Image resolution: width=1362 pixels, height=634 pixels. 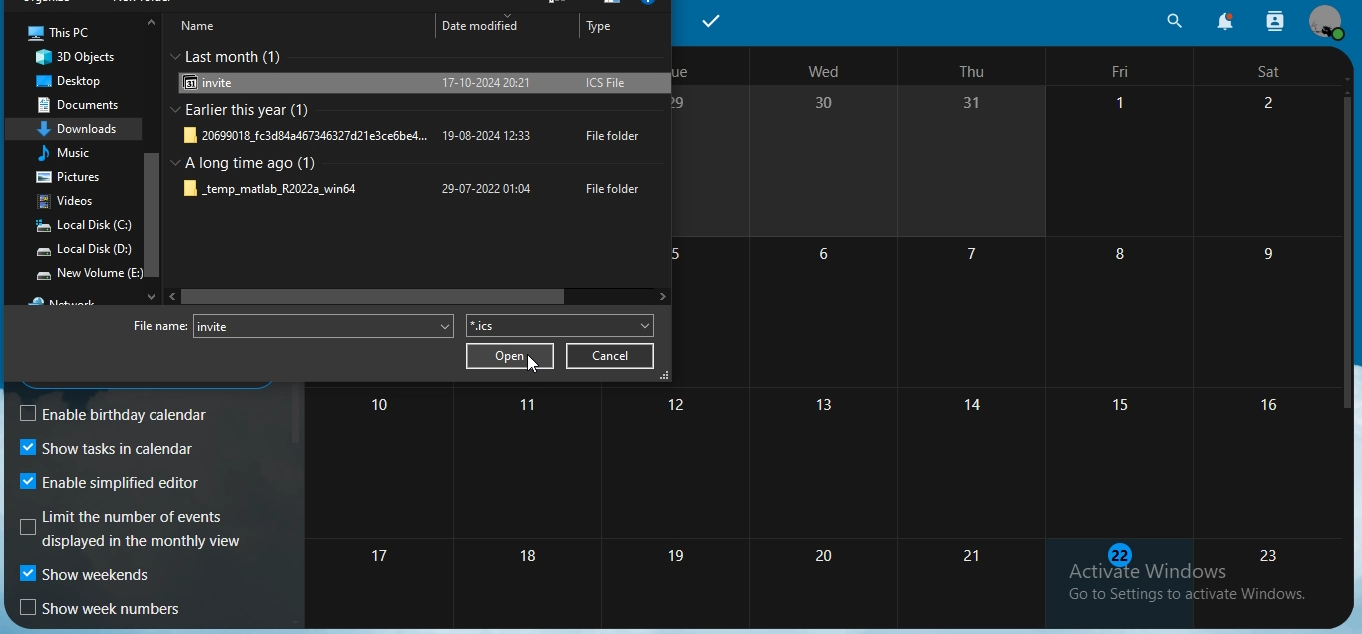 I want to click on network, so click(x=72, y=299).